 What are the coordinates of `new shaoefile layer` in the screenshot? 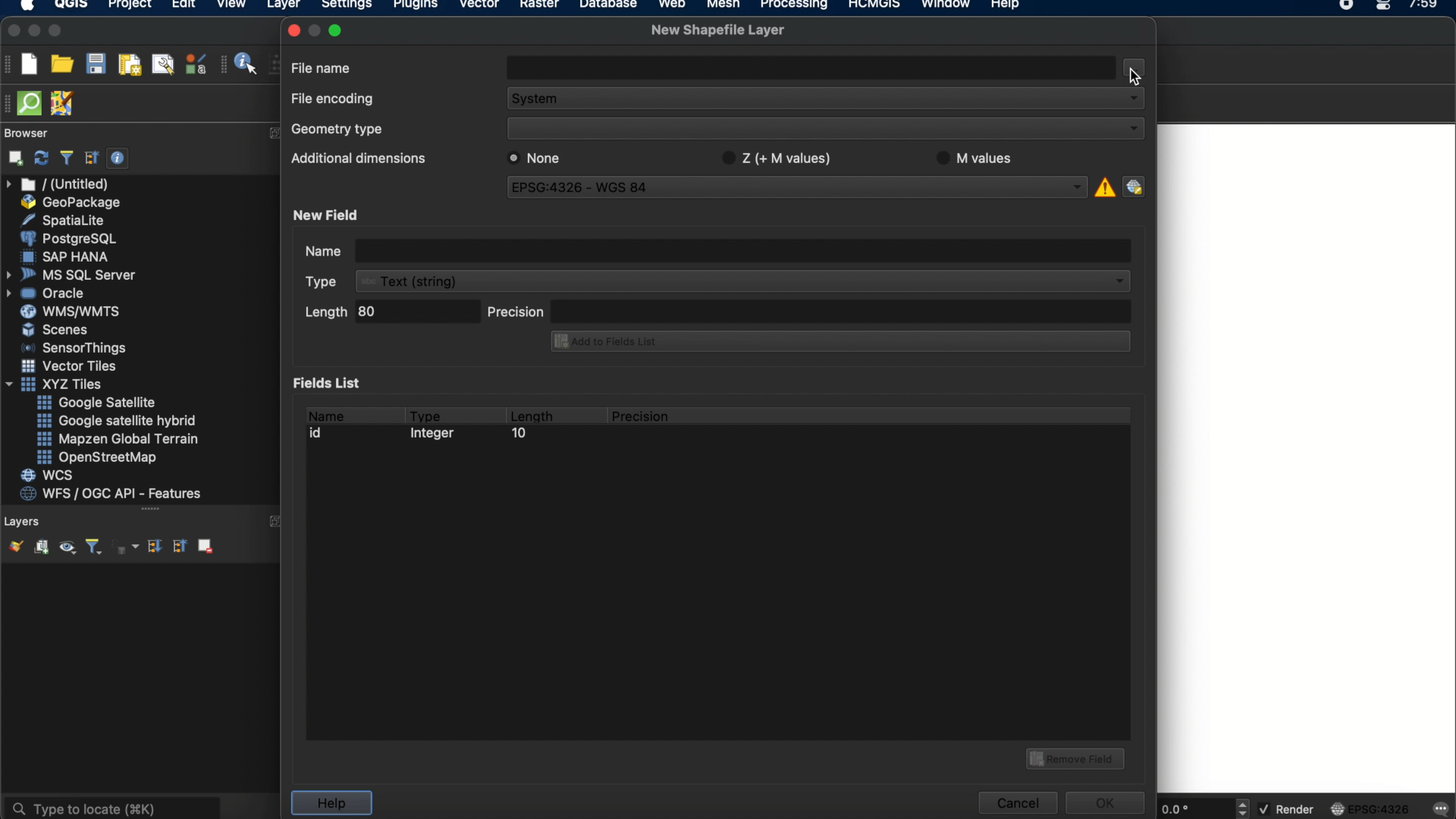 It's located at (718, 30).